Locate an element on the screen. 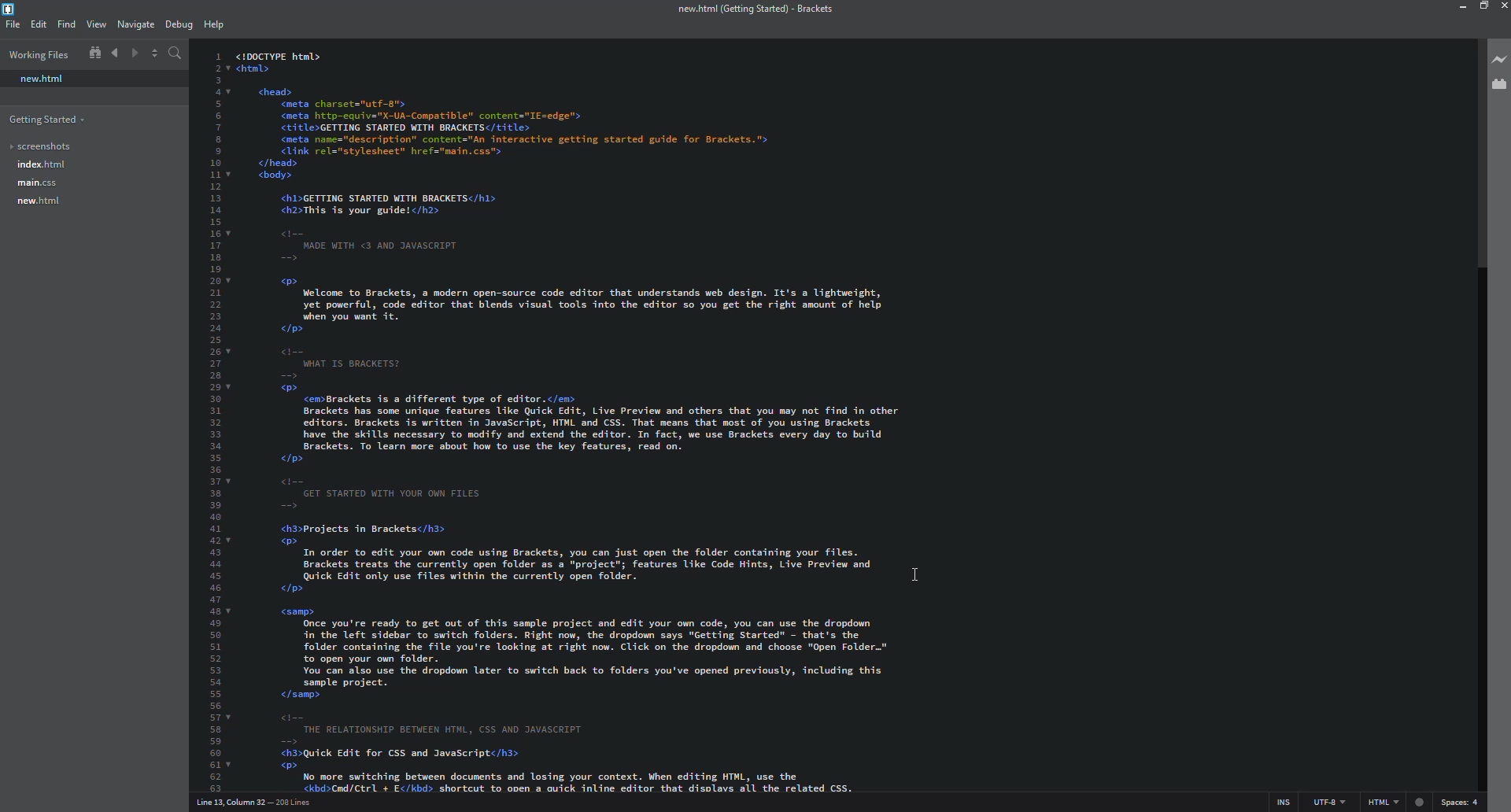 The width and height of the screenshot is (1511, 812). brackets is located at coordinates (12, 9).